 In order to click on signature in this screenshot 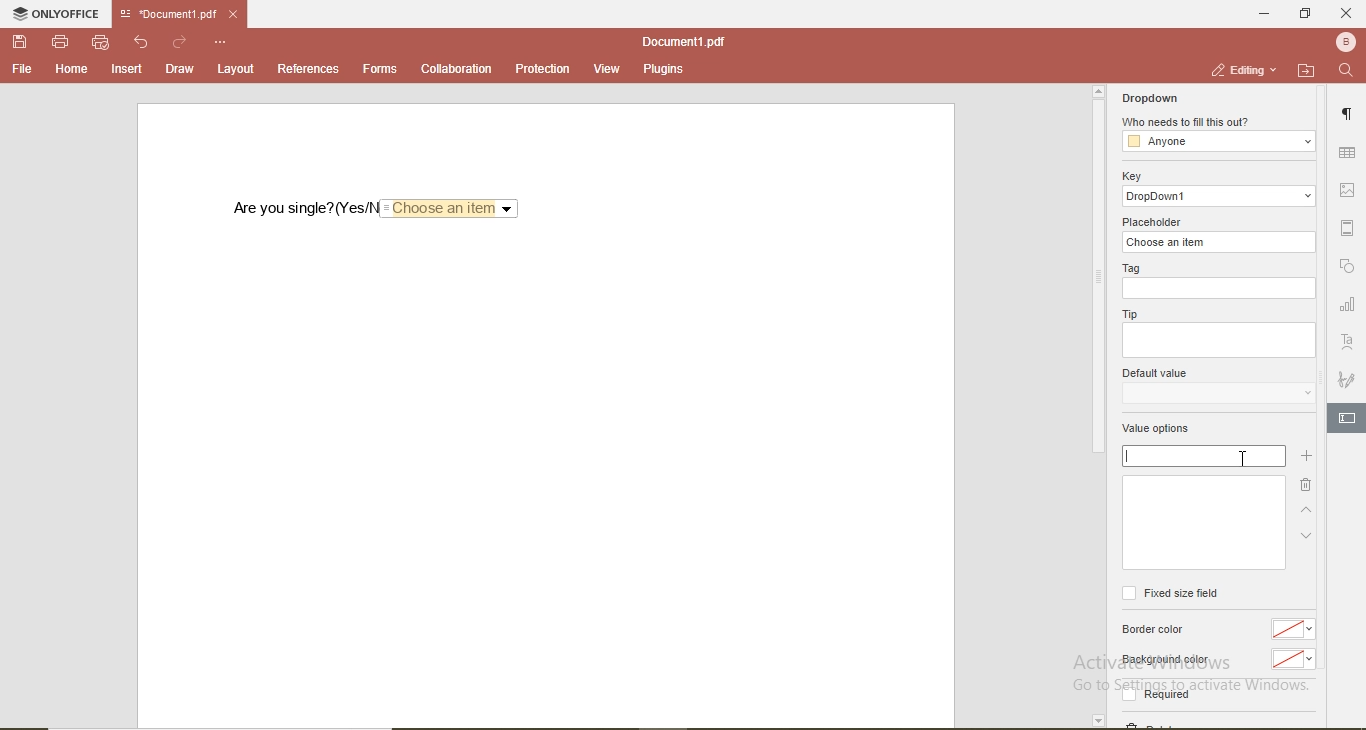, I will do `click(1348, 377)`.